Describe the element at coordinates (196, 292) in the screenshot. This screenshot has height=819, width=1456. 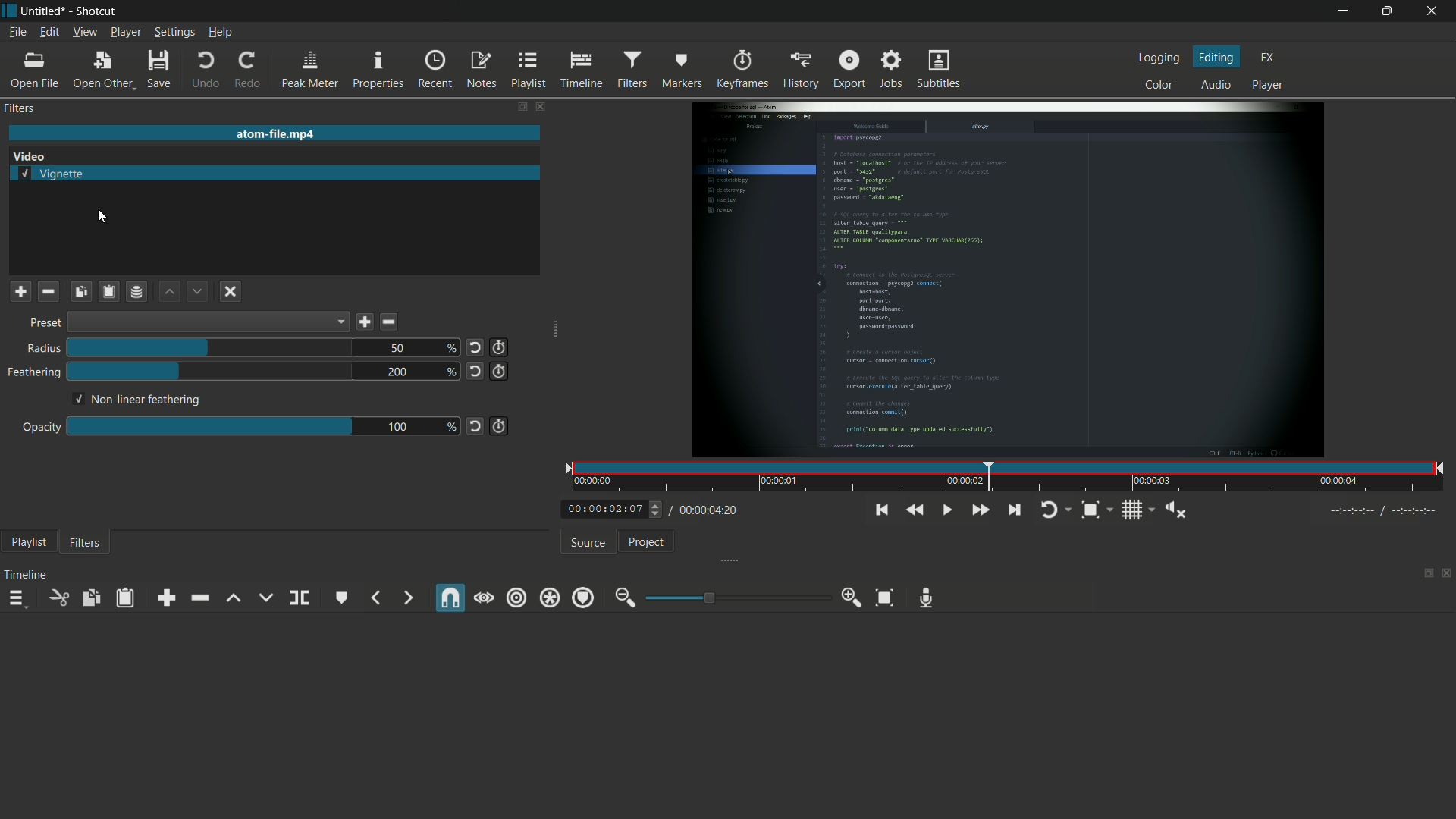
I see `move filter down` at that location.